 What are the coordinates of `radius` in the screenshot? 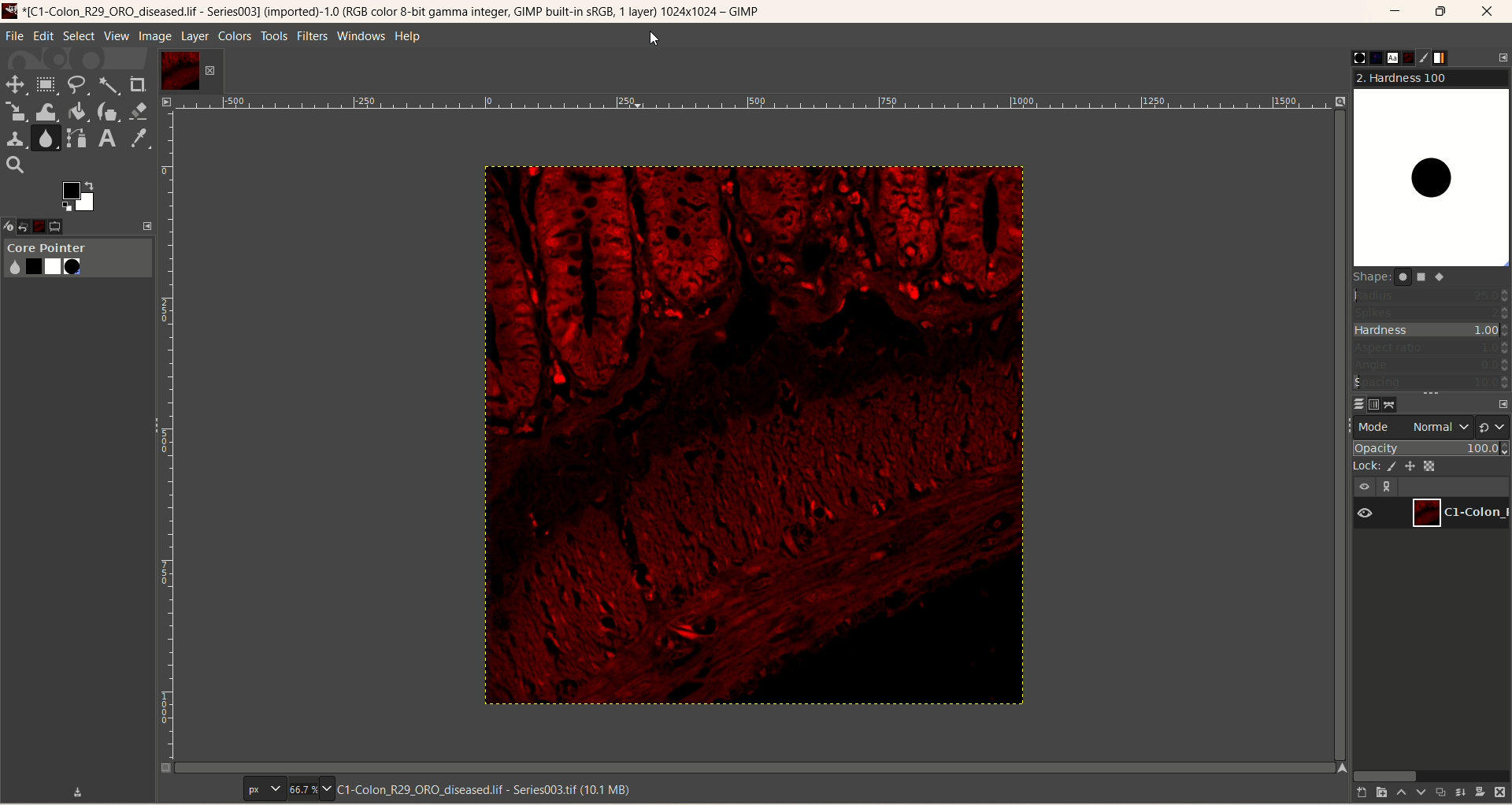 It's located at (1432, 295).